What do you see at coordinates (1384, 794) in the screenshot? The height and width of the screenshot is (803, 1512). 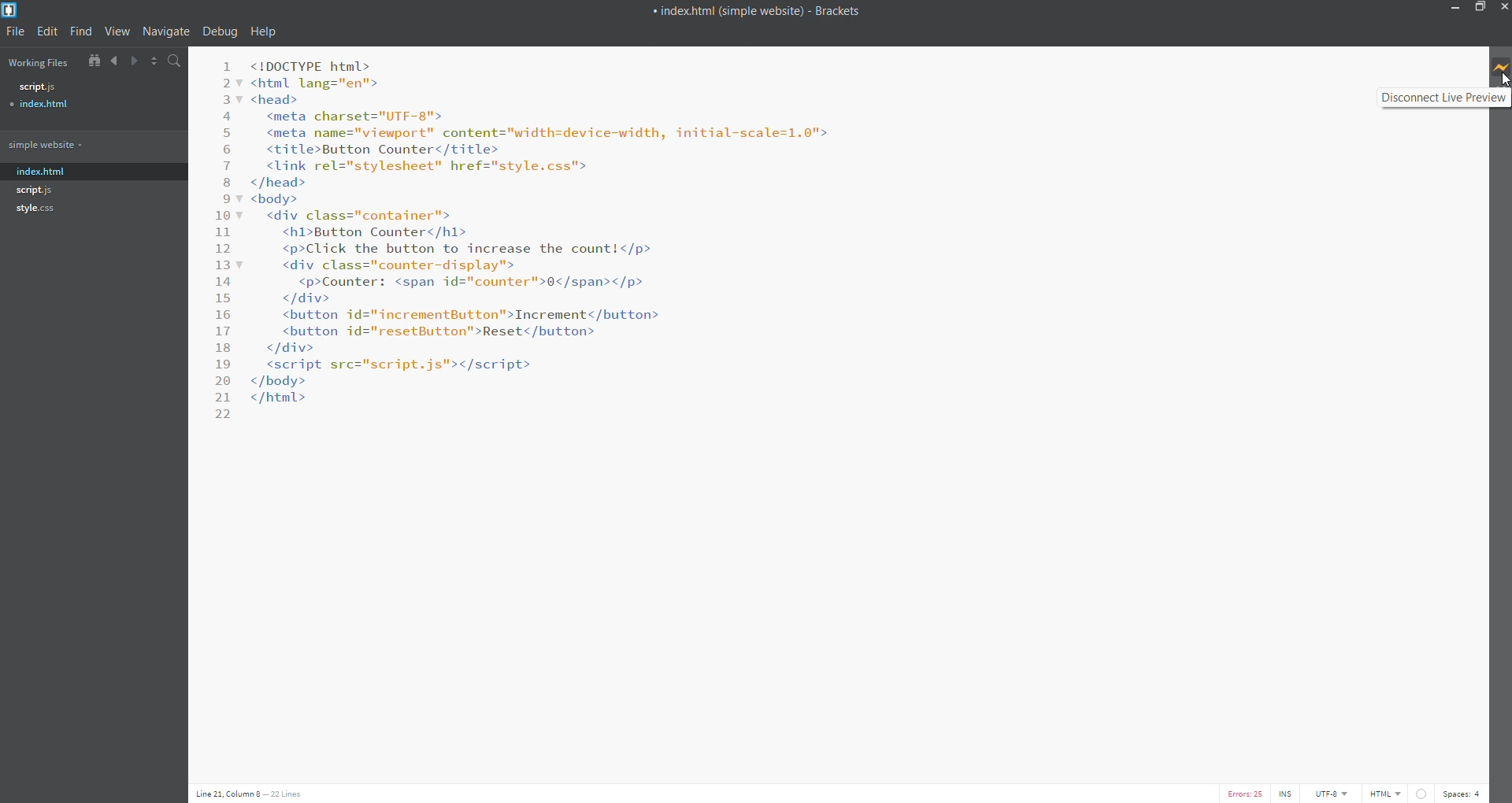 I see `file type` at bounding box center [1384, 794].